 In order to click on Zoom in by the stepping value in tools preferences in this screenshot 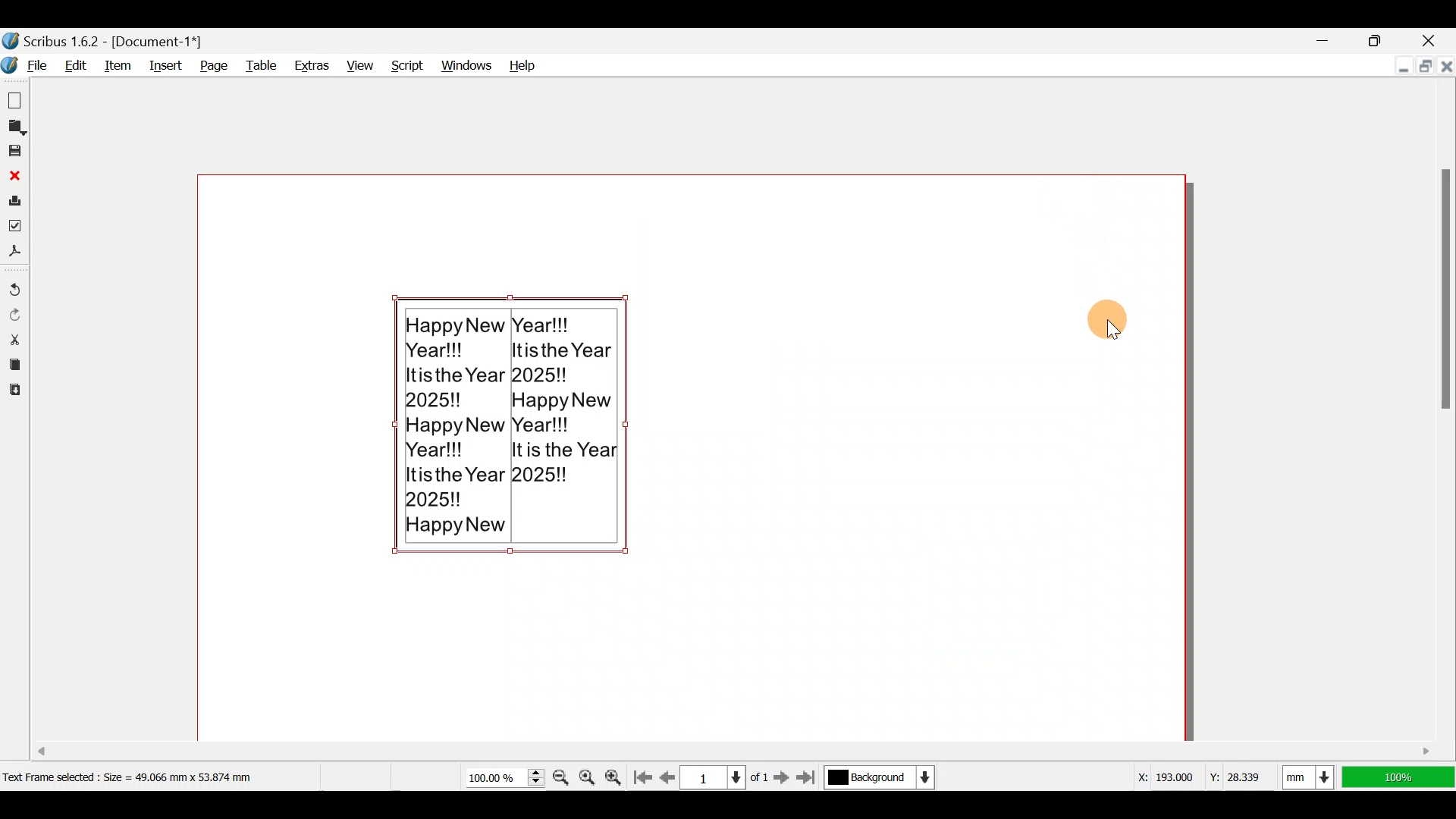, I will do `click(615, 774)`.